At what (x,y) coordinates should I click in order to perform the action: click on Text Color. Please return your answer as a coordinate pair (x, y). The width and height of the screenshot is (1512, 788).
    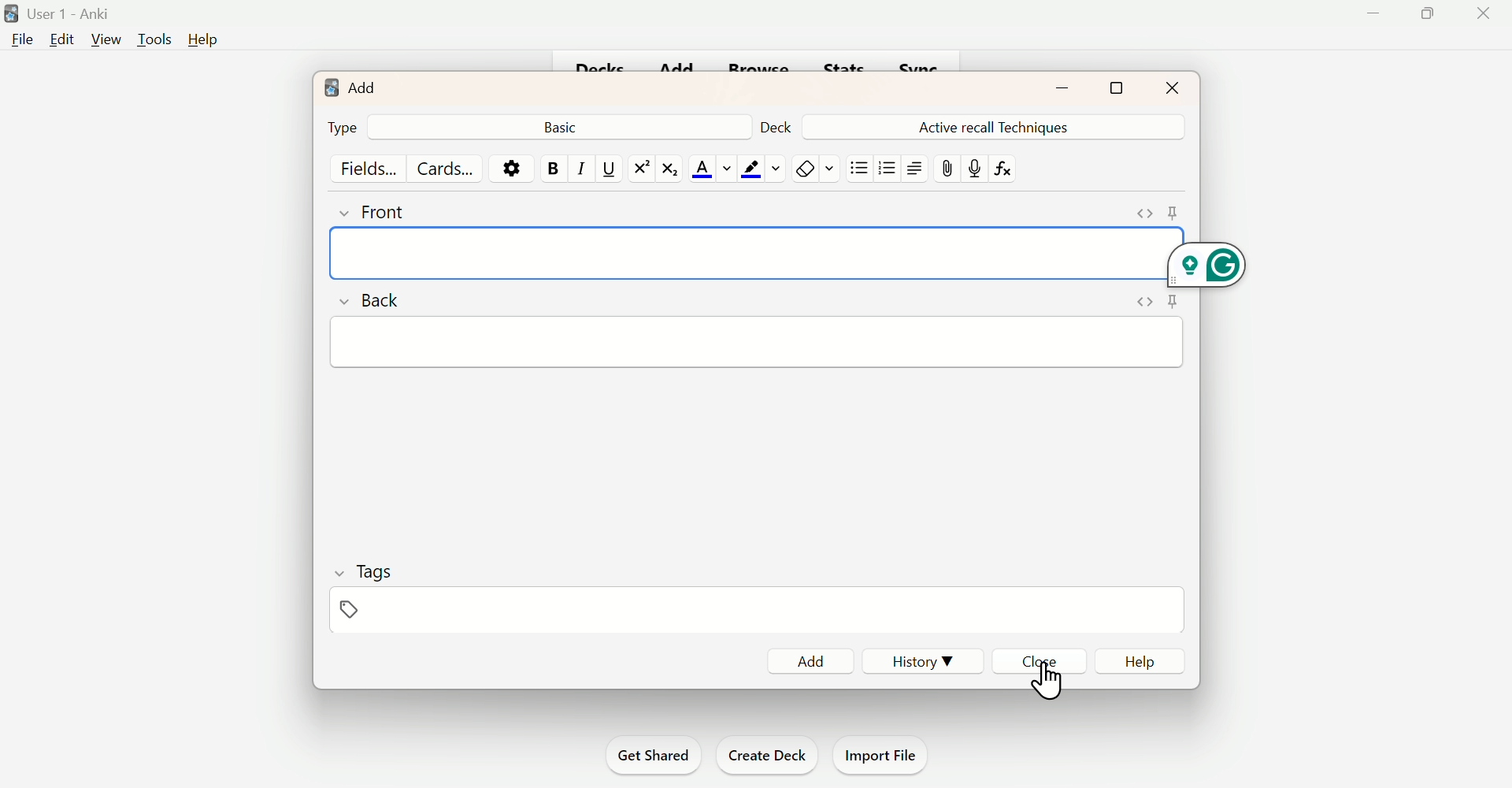
    Looking at the image, I should click on (708, 167).